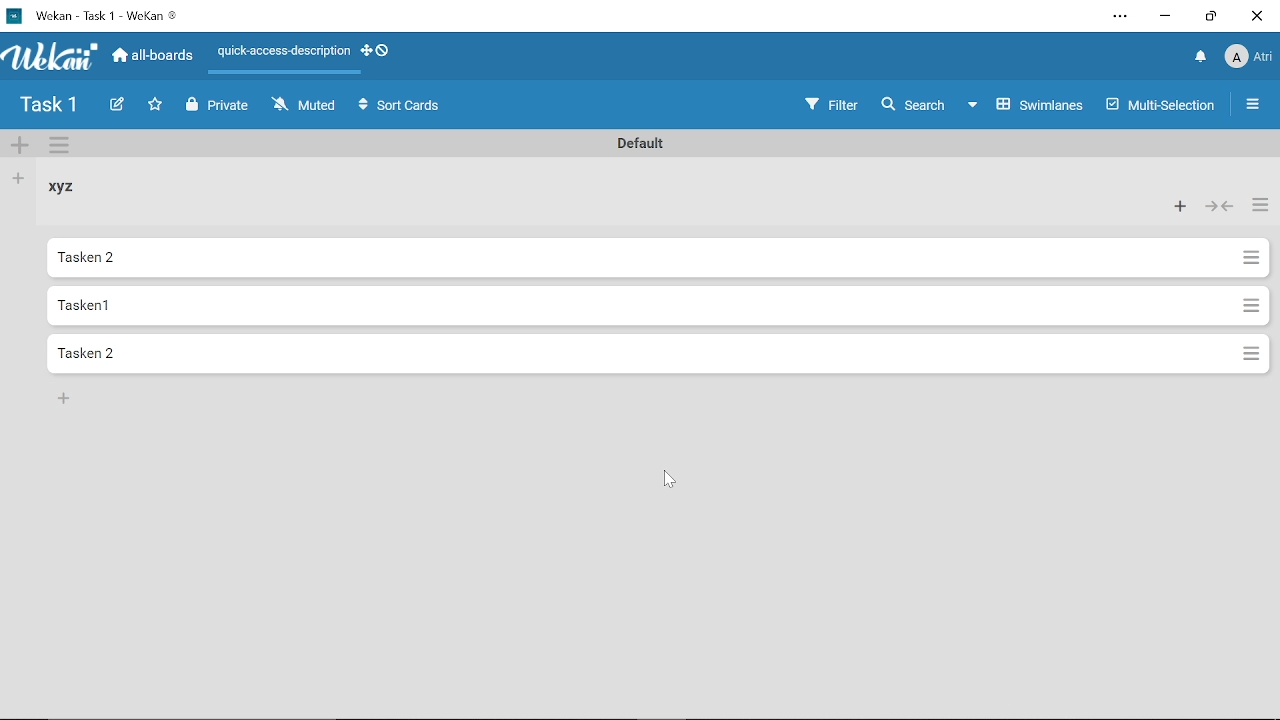  Describe the element at coordinates (378, 51) in the screenshot. I see `Show desktop drag handles` at that location.